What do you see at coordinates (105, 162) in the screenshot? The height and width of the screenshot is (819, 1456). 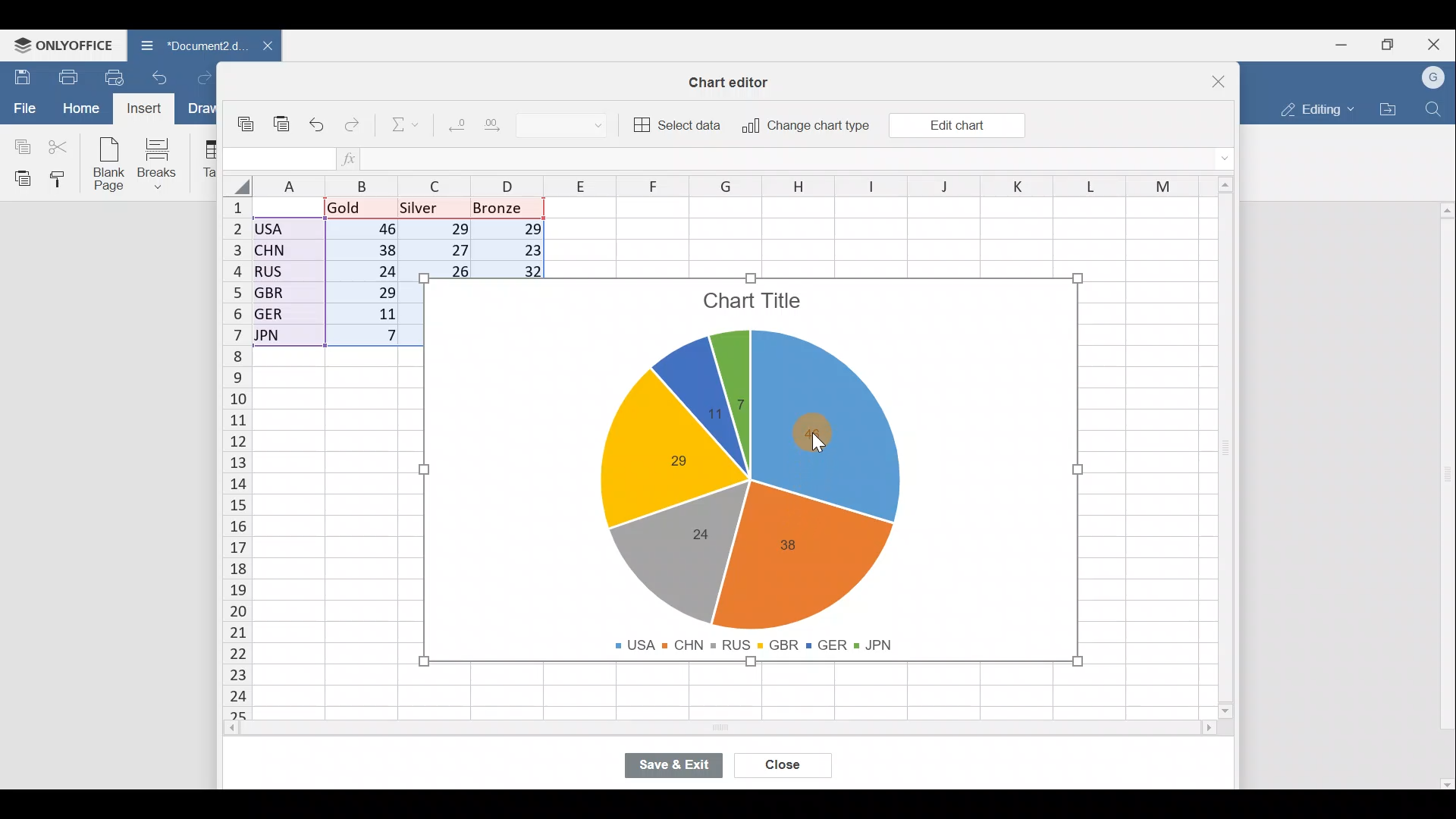 I see `Blank page` at bounding box center [105, 162].